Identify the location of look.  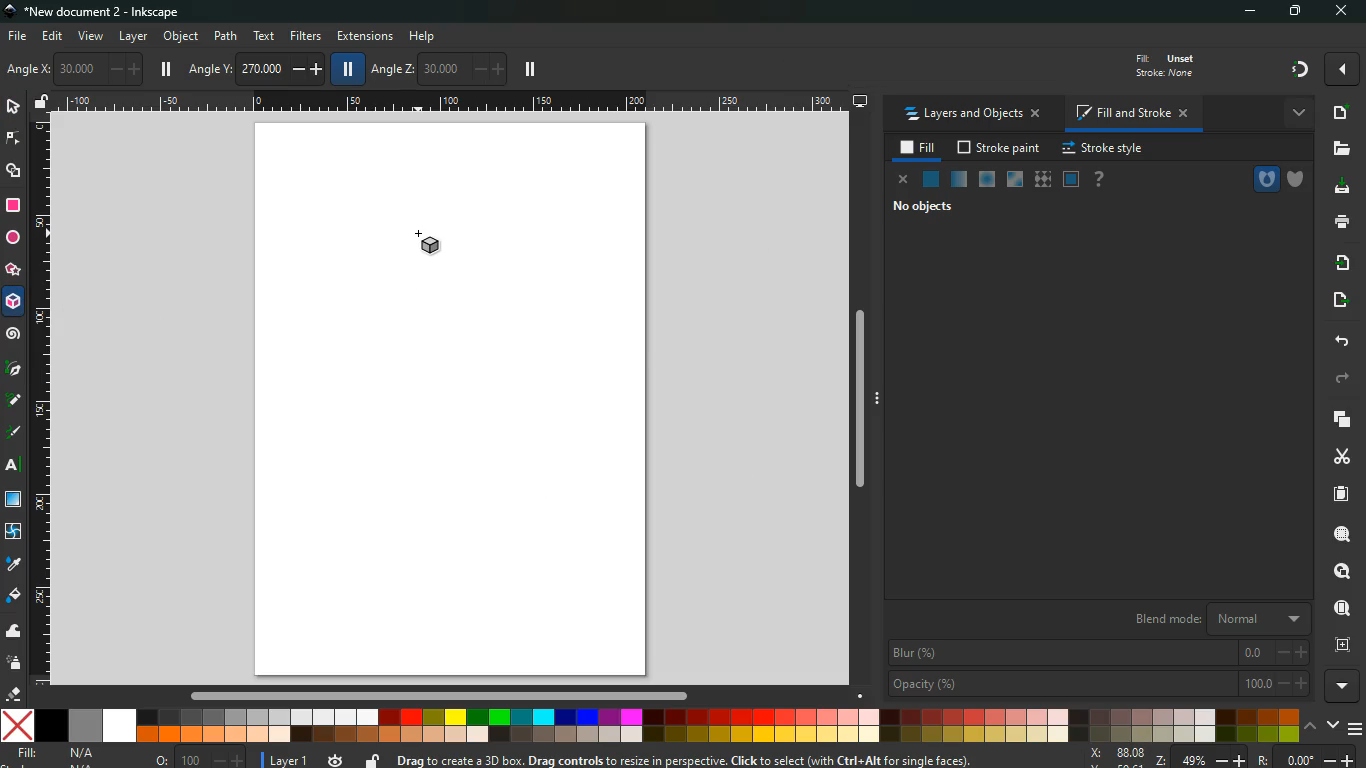
(1336, 572).